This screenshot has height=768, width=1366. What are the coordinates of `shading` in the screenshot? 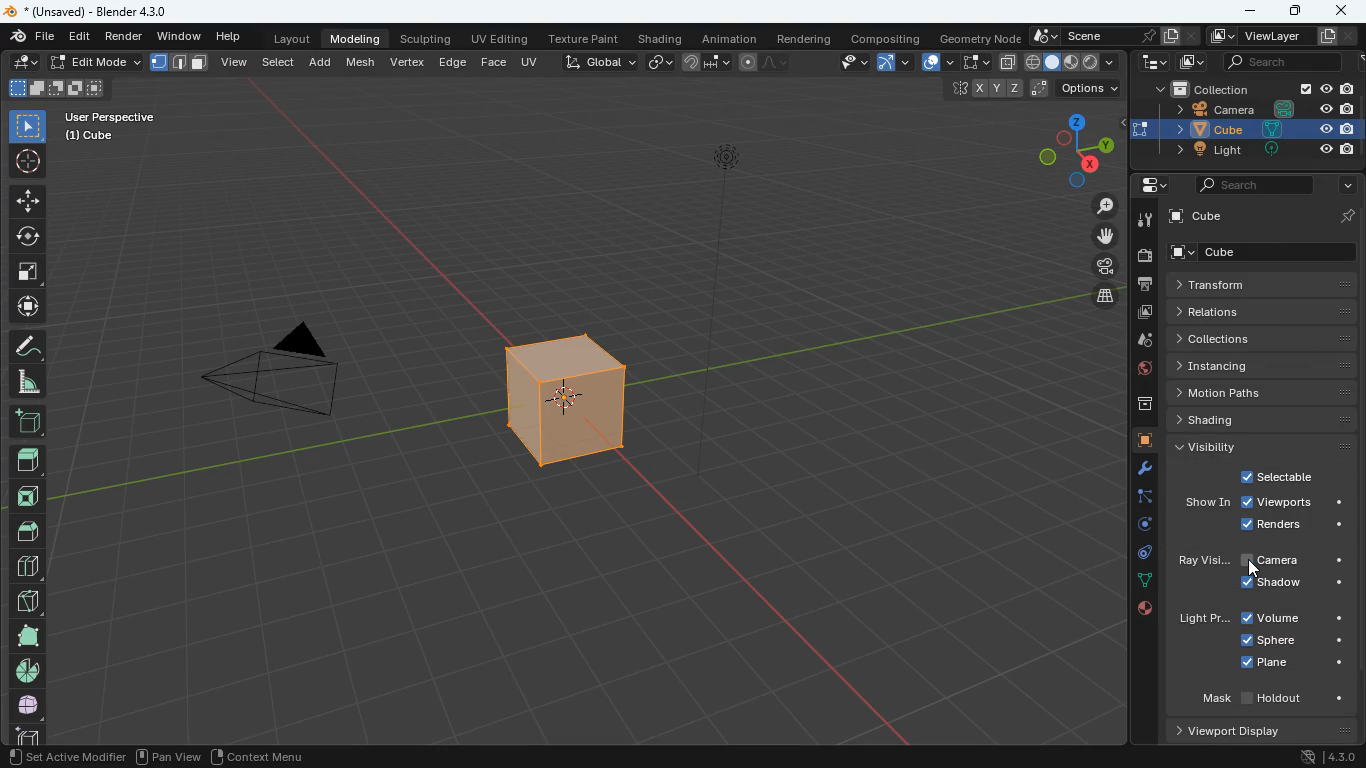 It's located at (660, 39).